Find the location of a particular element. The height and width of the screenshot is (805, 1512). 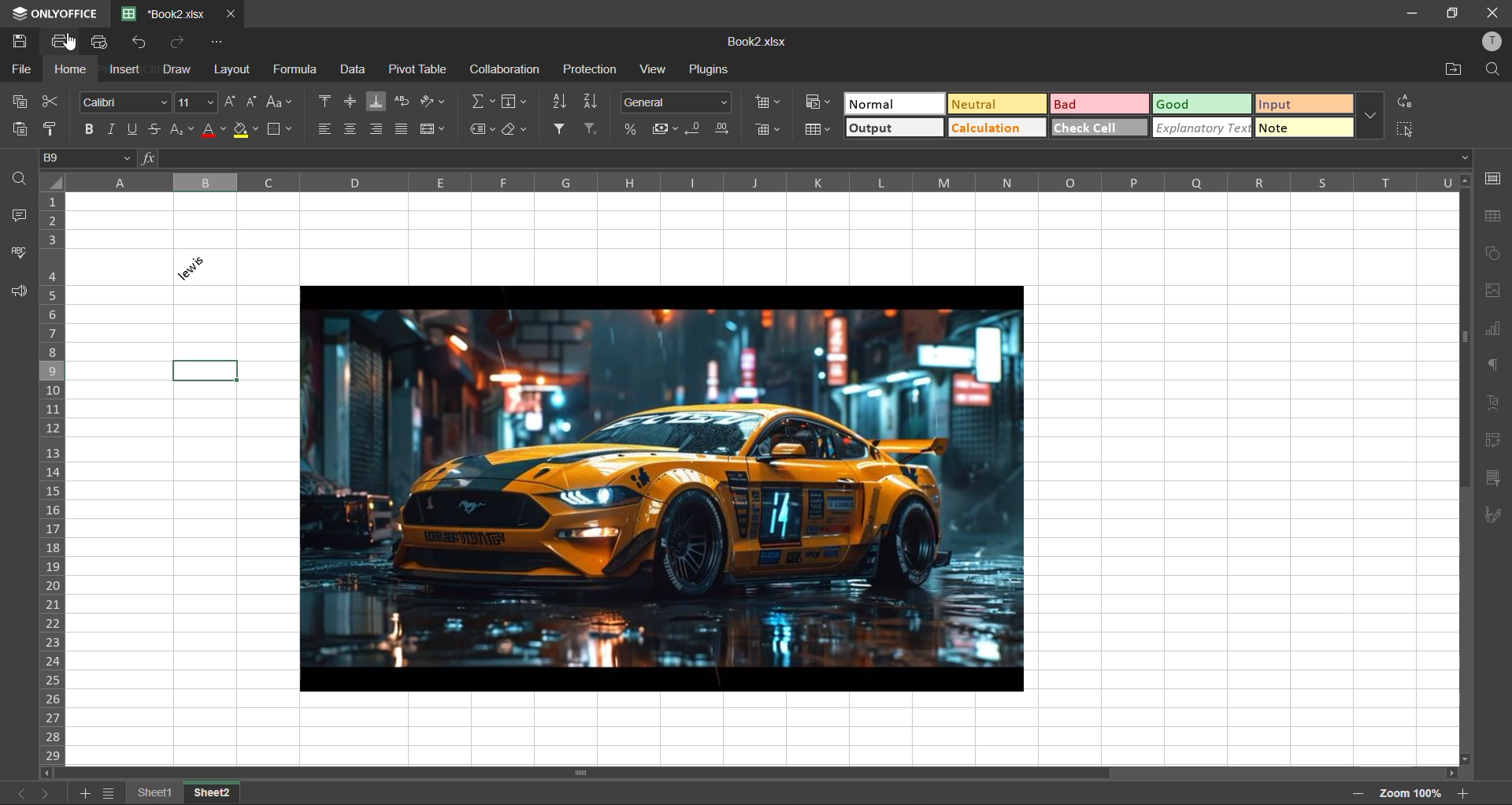

fill color is located at coordinates (246, 129).